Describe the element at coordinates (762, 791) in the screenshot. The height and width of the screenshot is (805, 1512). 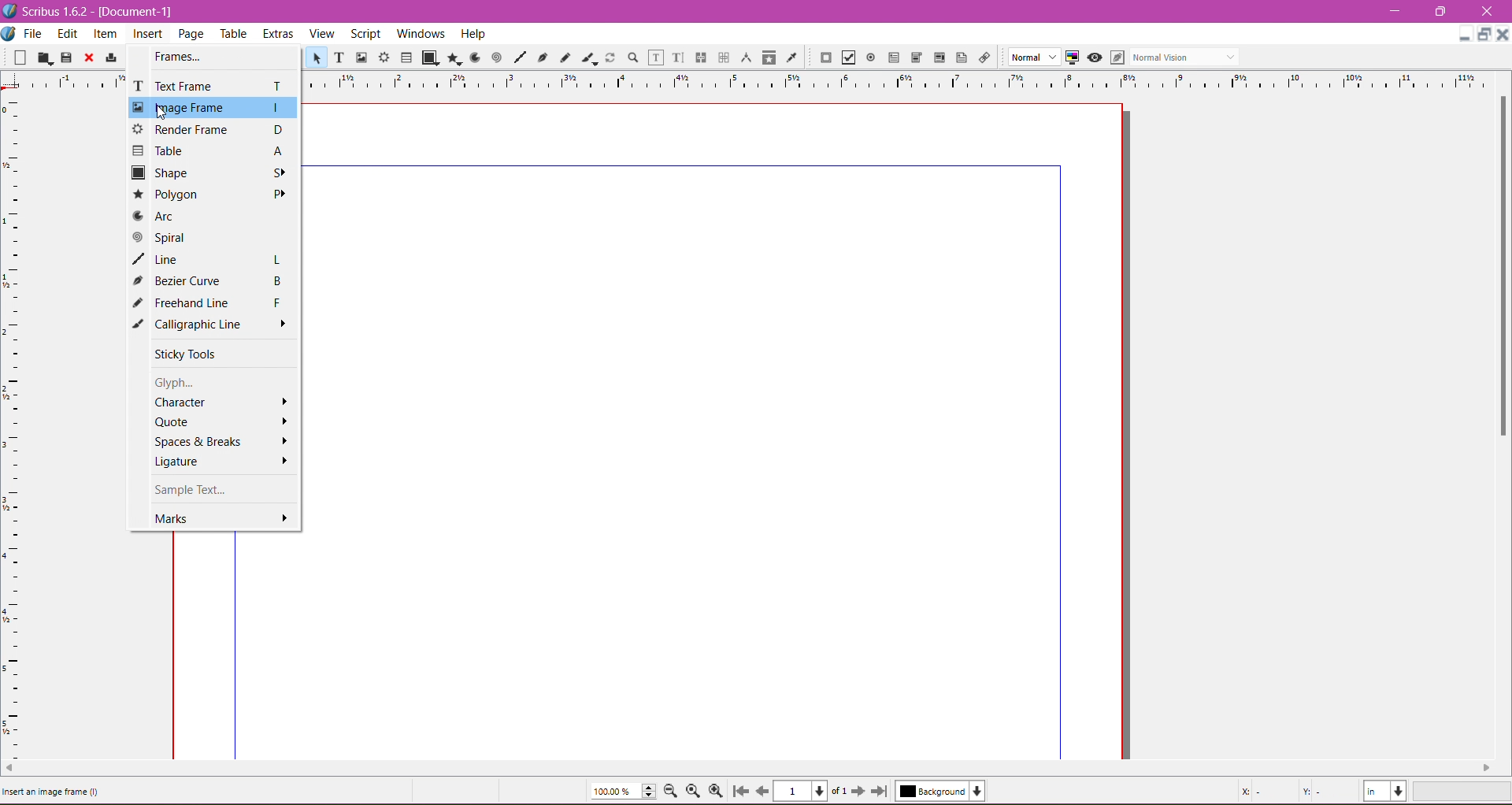
I see `Go to the previous page` at that location.